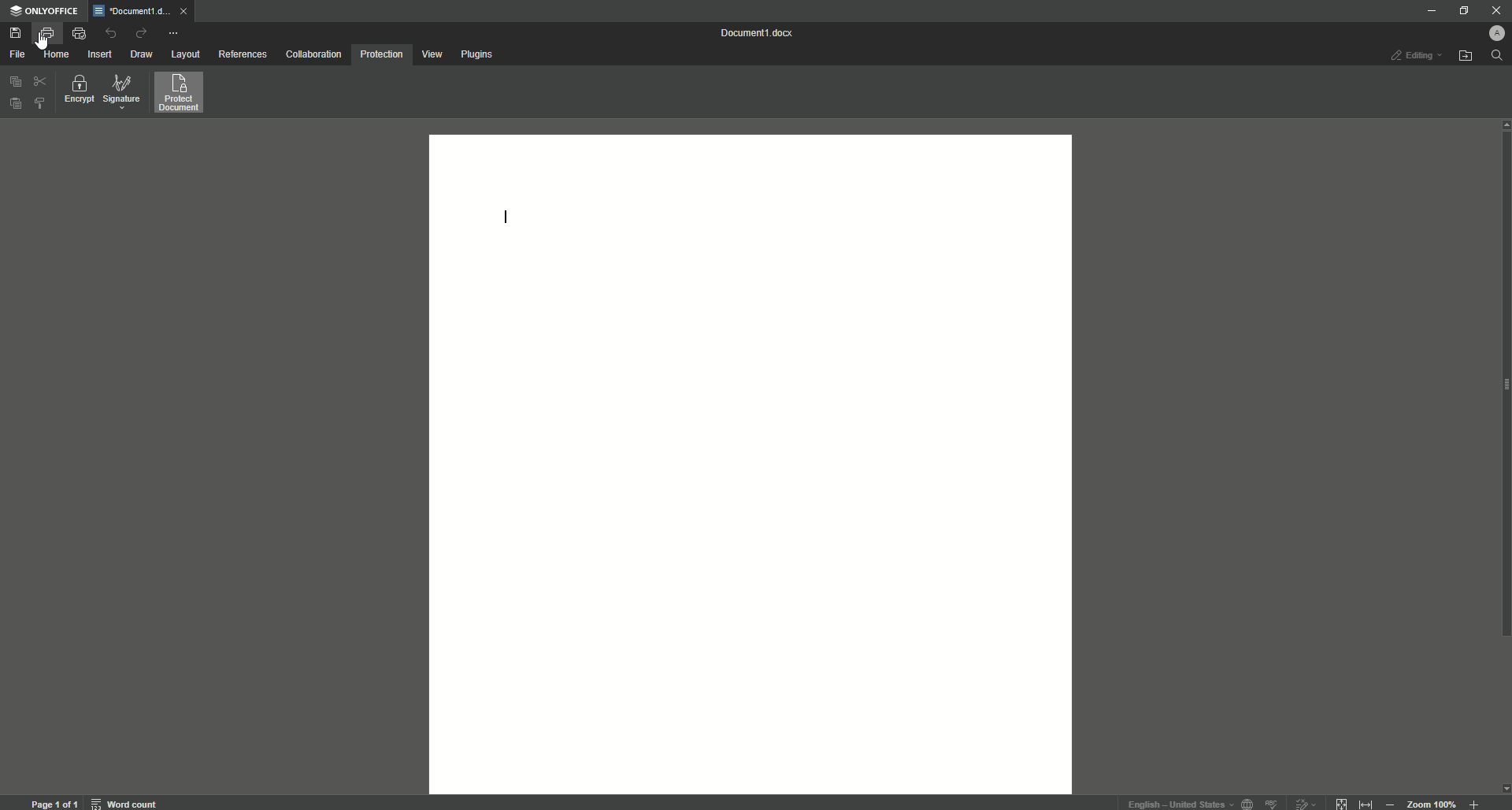  Describe the element at coordinates (1410, 56) in the screenshot. I see `Editing` at that location.